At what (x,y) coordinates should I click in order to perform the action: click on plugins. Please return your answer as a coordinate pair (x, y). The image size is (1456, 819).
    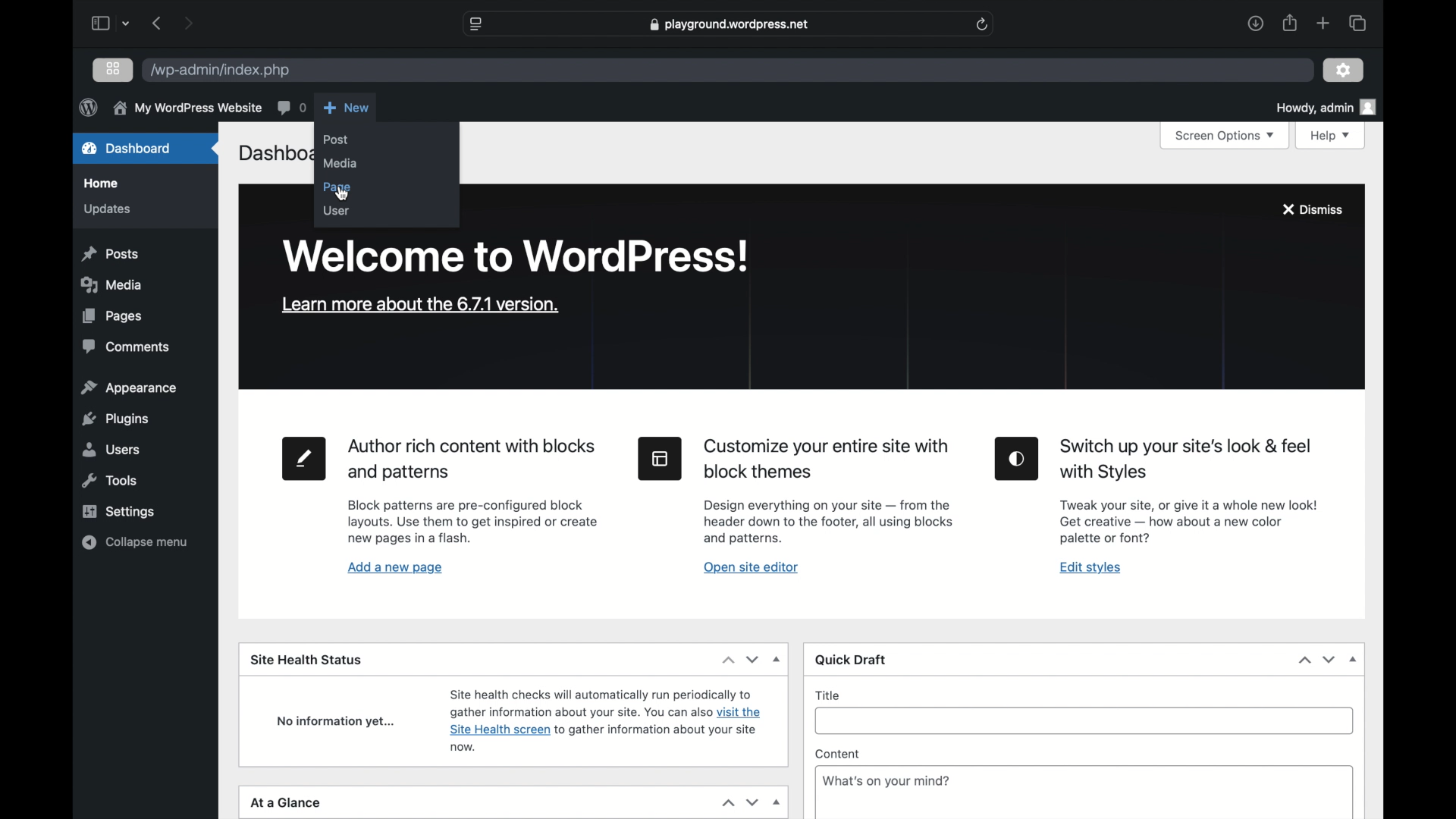
    Looking at the image, I should click on (114, 419).